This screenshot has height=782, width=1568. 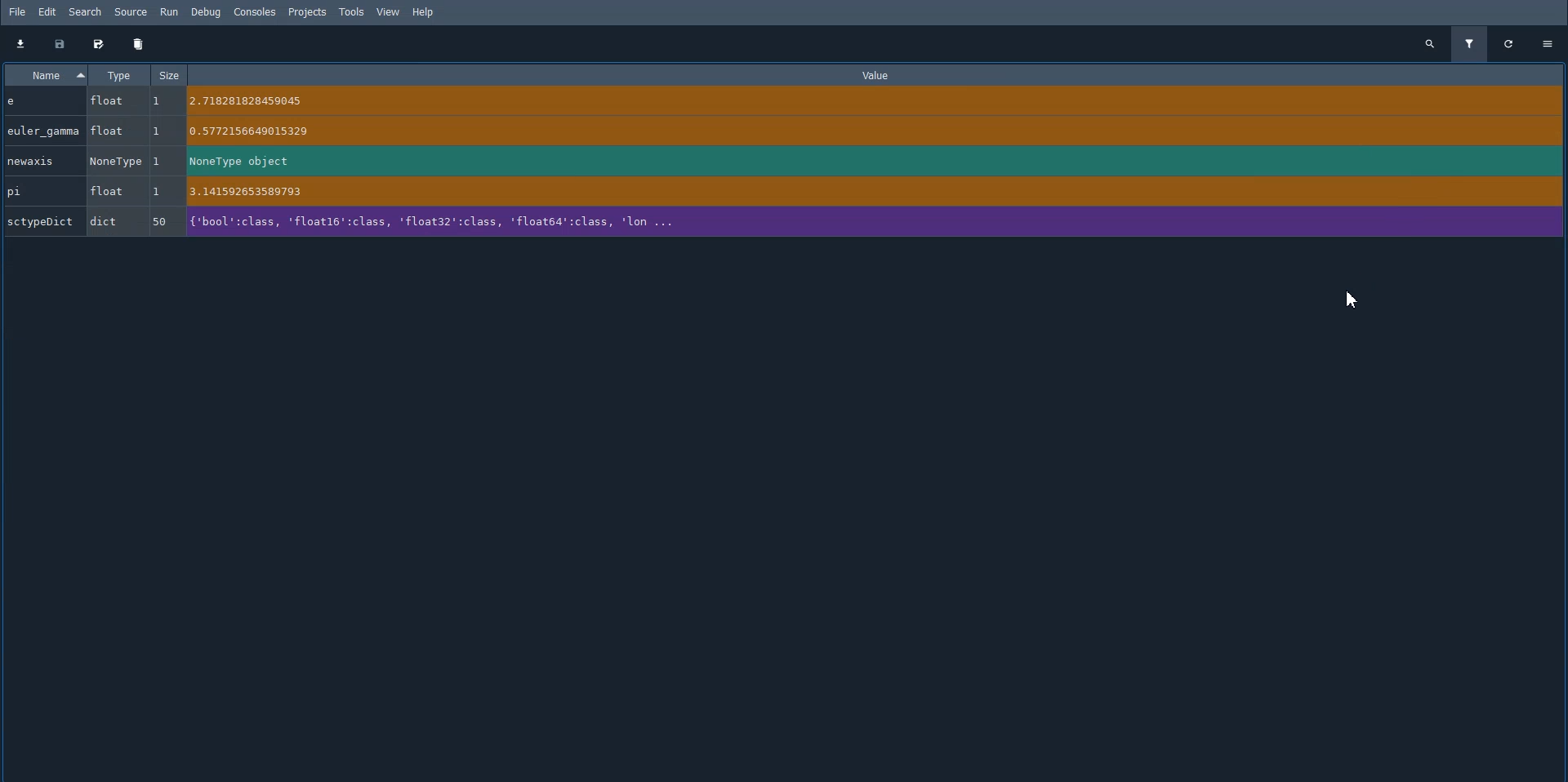 I want to click on float, so click(x=113, y=131).